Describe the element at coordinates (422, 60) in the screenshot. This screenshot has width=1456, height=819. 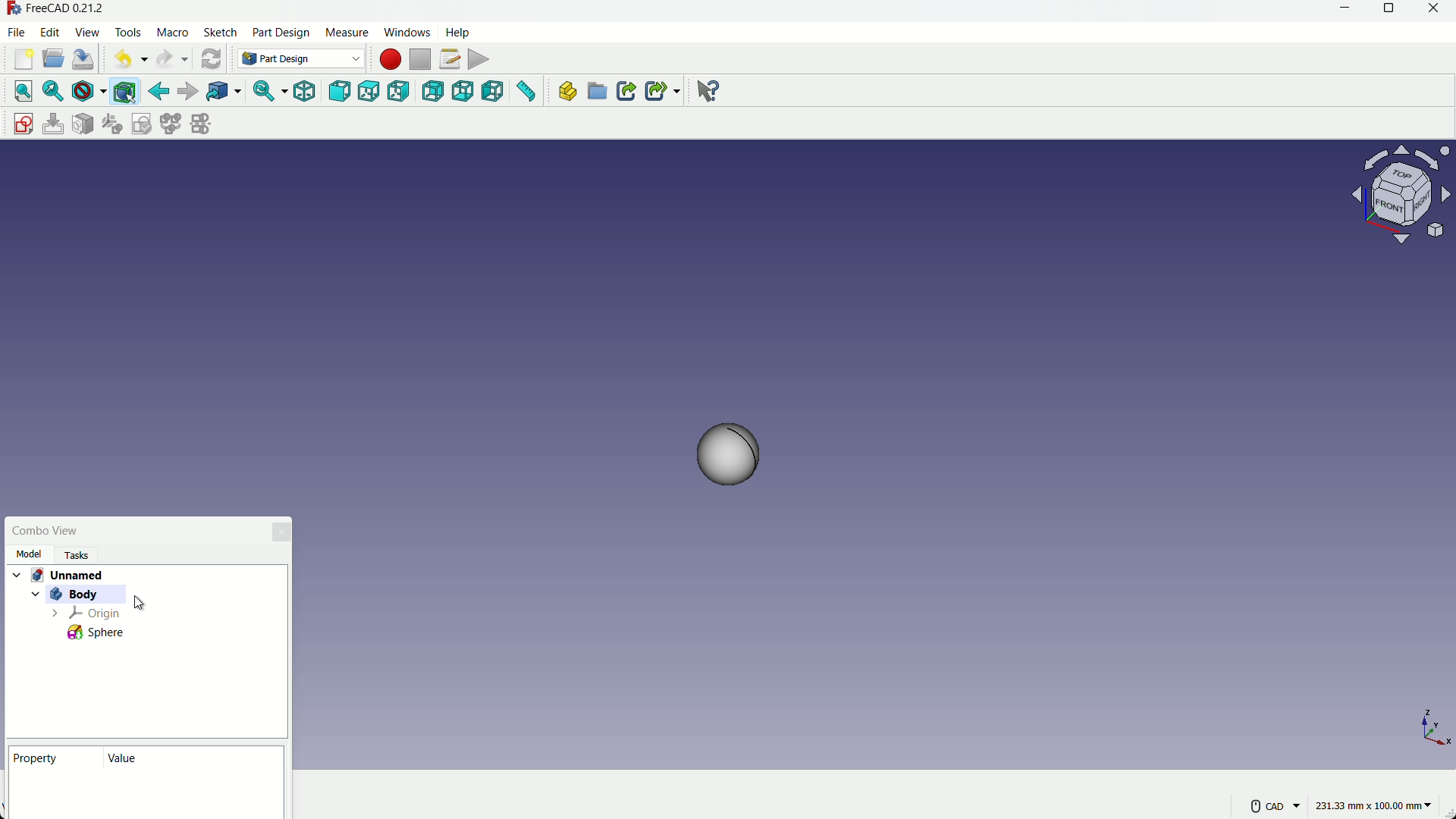
I see `stop macros` at that location.